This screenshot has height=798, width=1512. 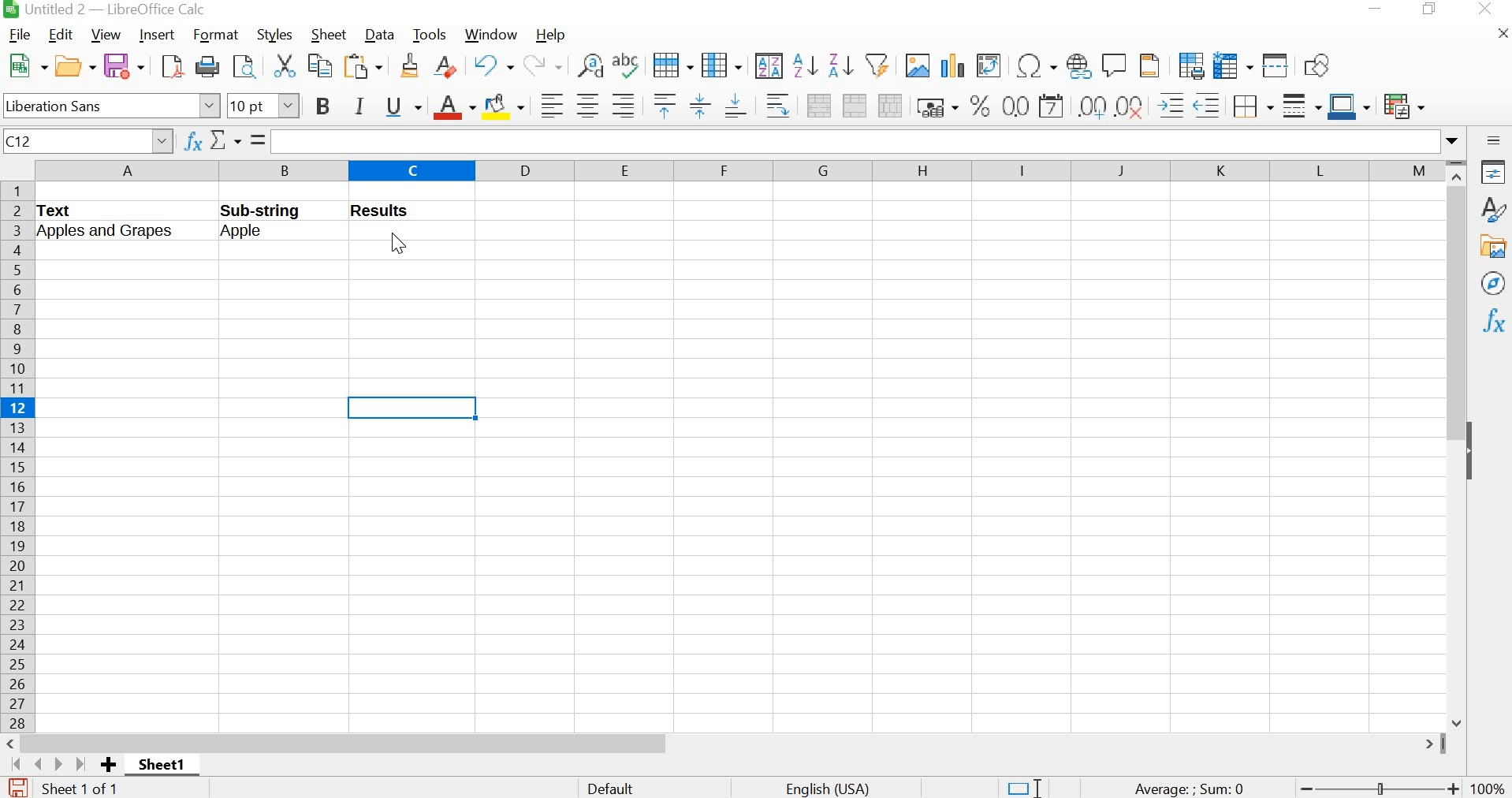 I want to click on view, so click(x=103, y=34).